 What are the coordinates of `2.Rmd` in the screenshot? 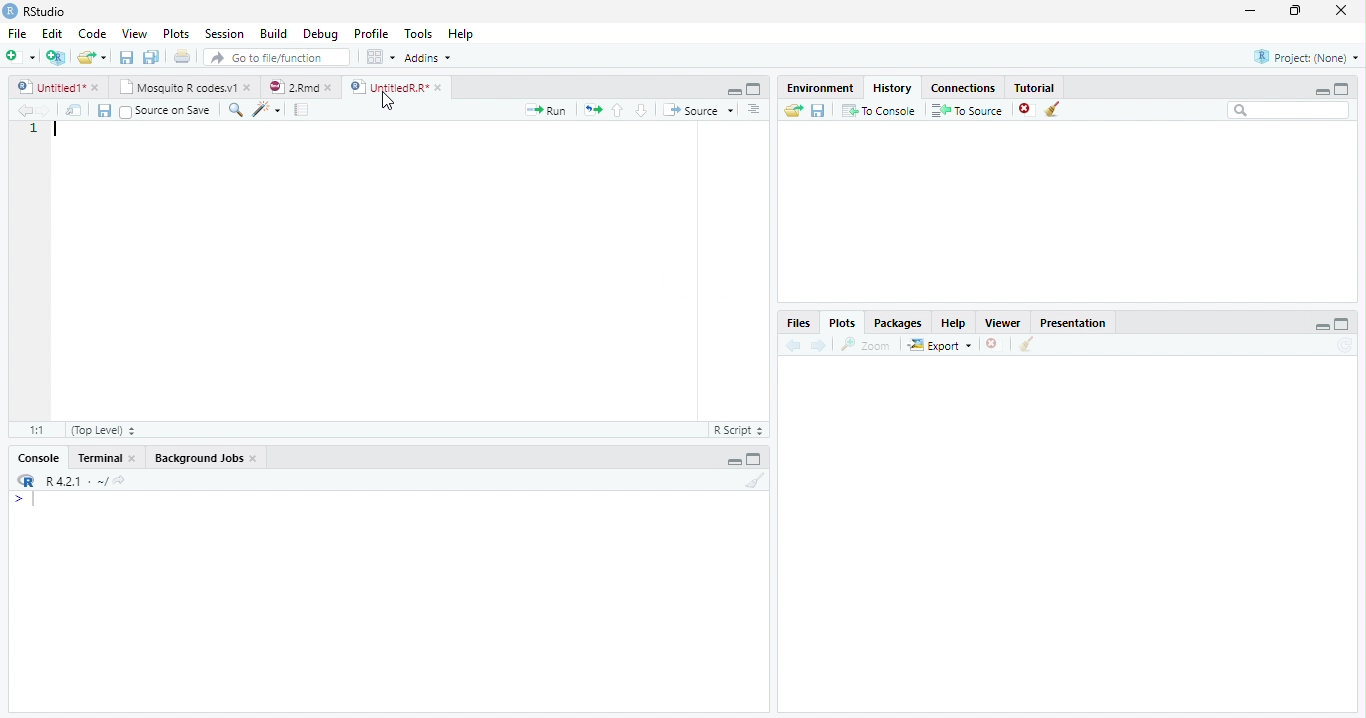 It's located at (291, 87).